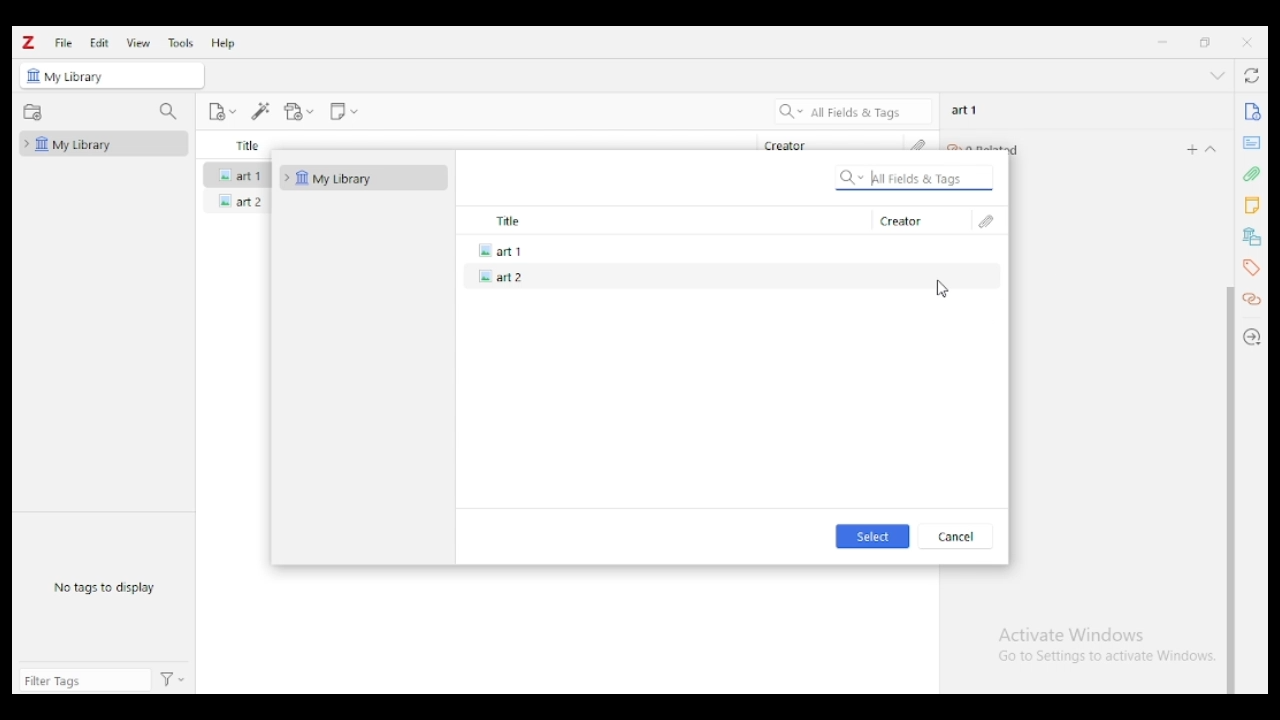 Image resolution: width=1280 pixels, height=720 pixels. I want to click on art 2, so click(730, 277).